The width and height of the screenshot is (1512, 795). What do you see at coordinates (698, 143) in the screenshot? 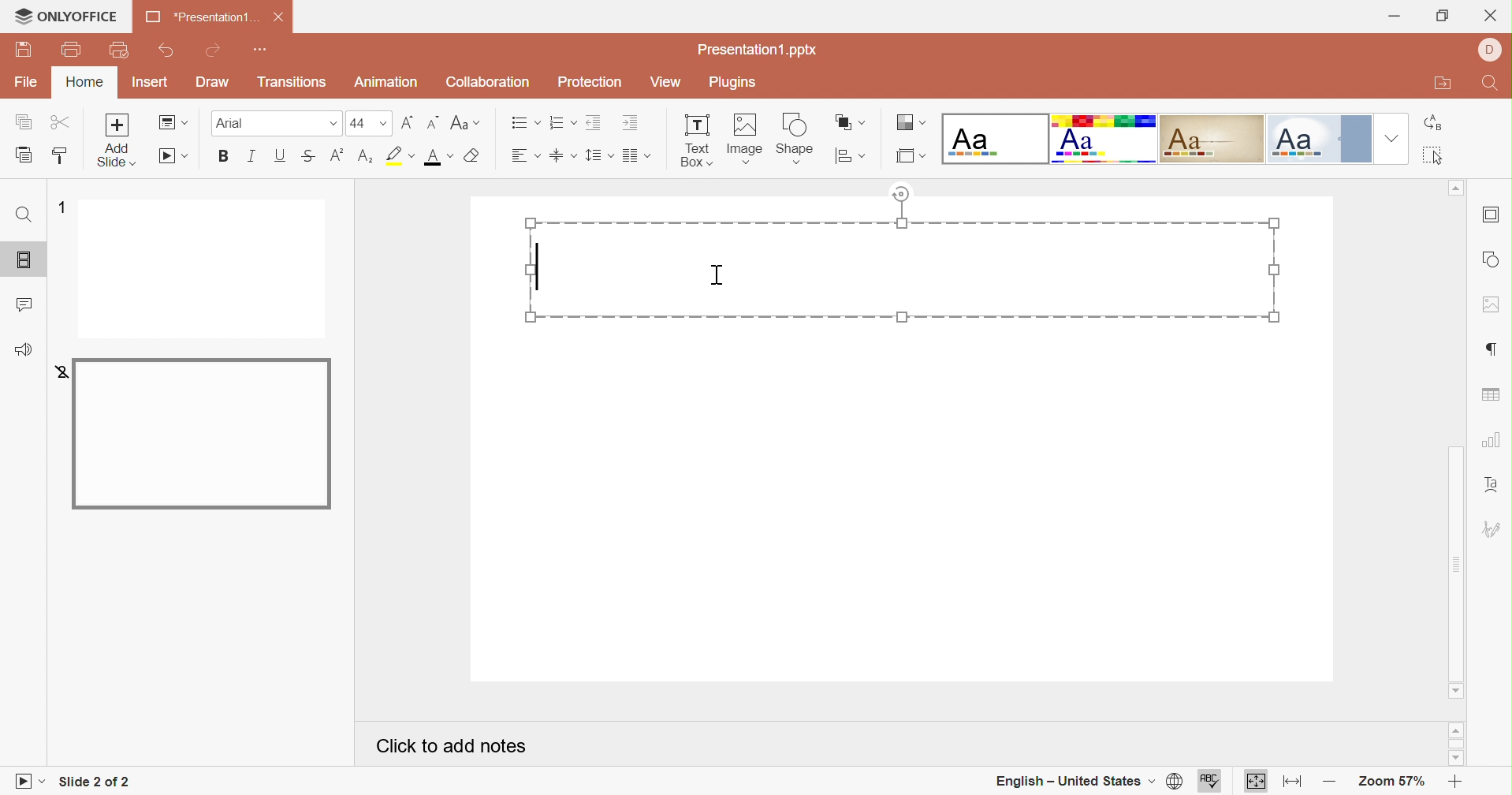
I see `Text Box` at bounding box center [698, 143].